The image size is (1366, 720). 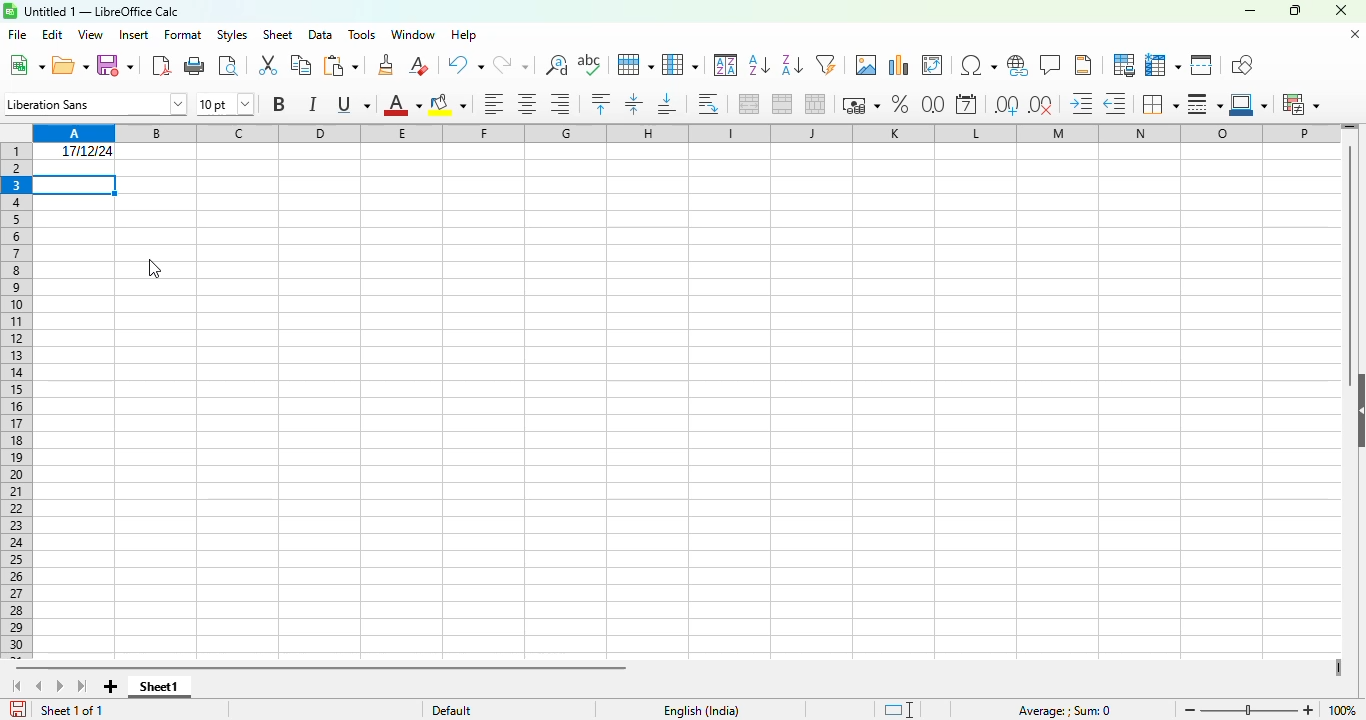 I want to click on increase indent, so click(x=1082, y=104).